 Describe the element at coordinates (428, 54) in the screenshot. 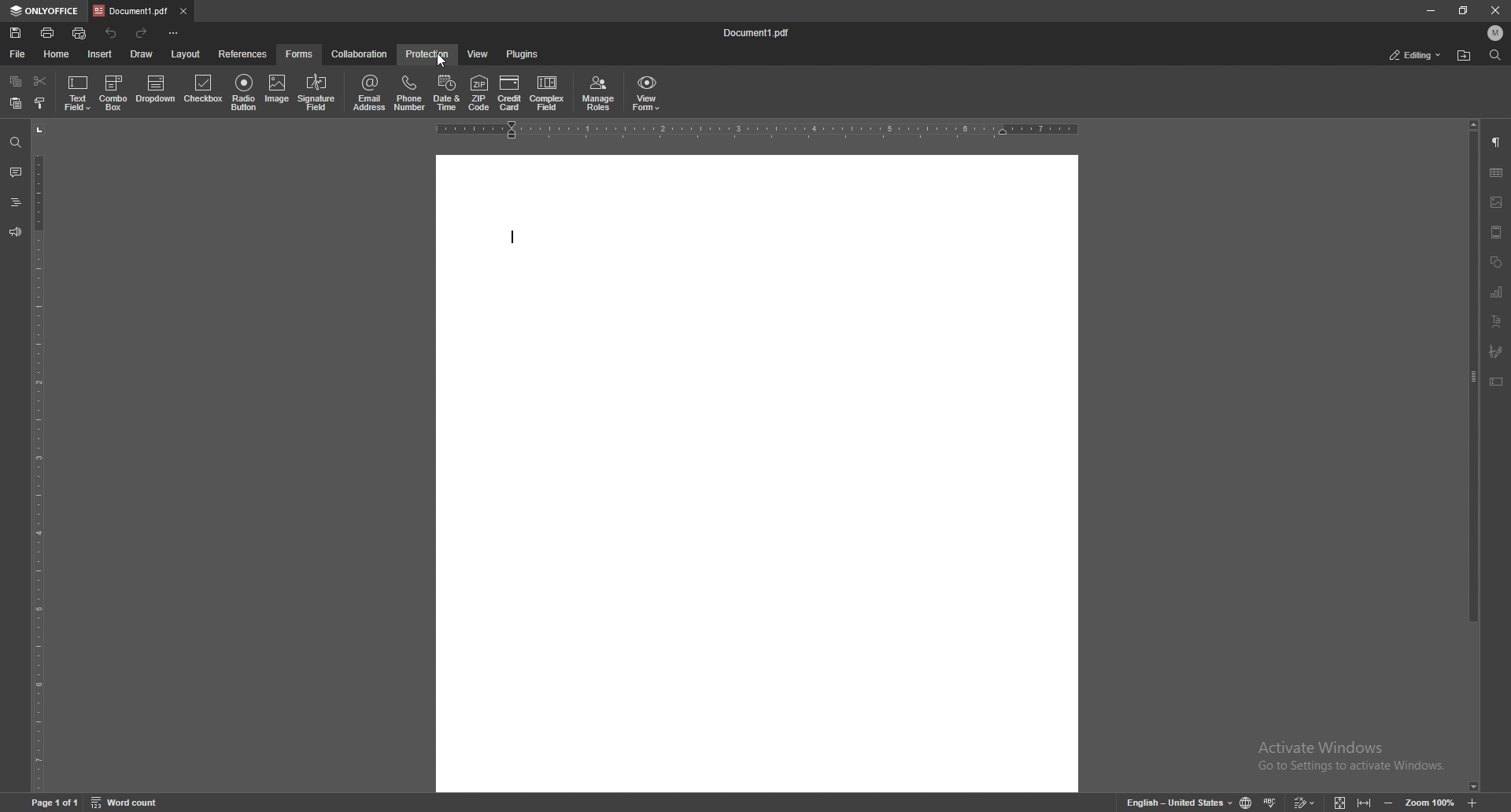

I see `protection` at that location.